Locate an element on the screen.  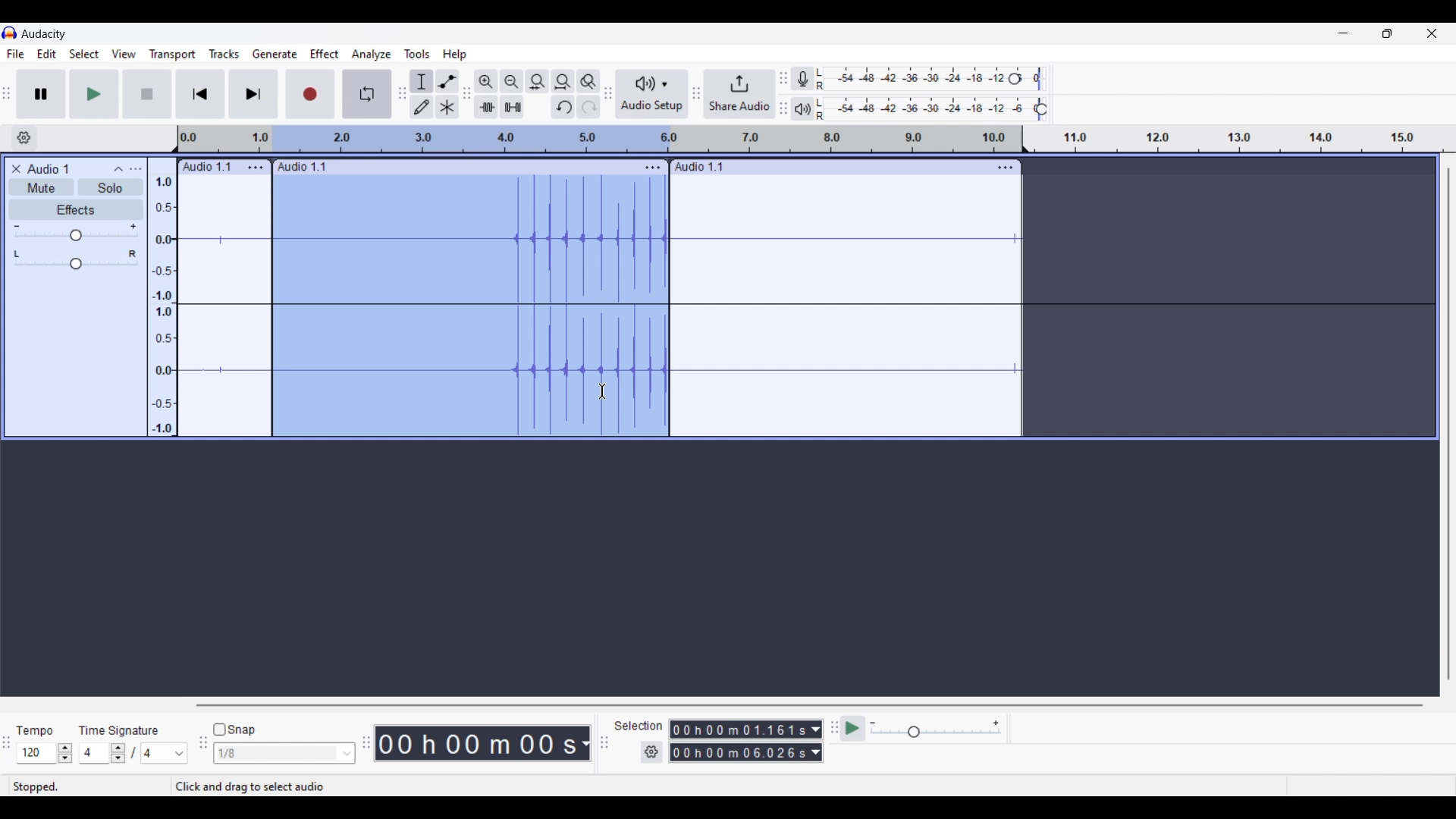
Pause is located at coordinates (42, 94).